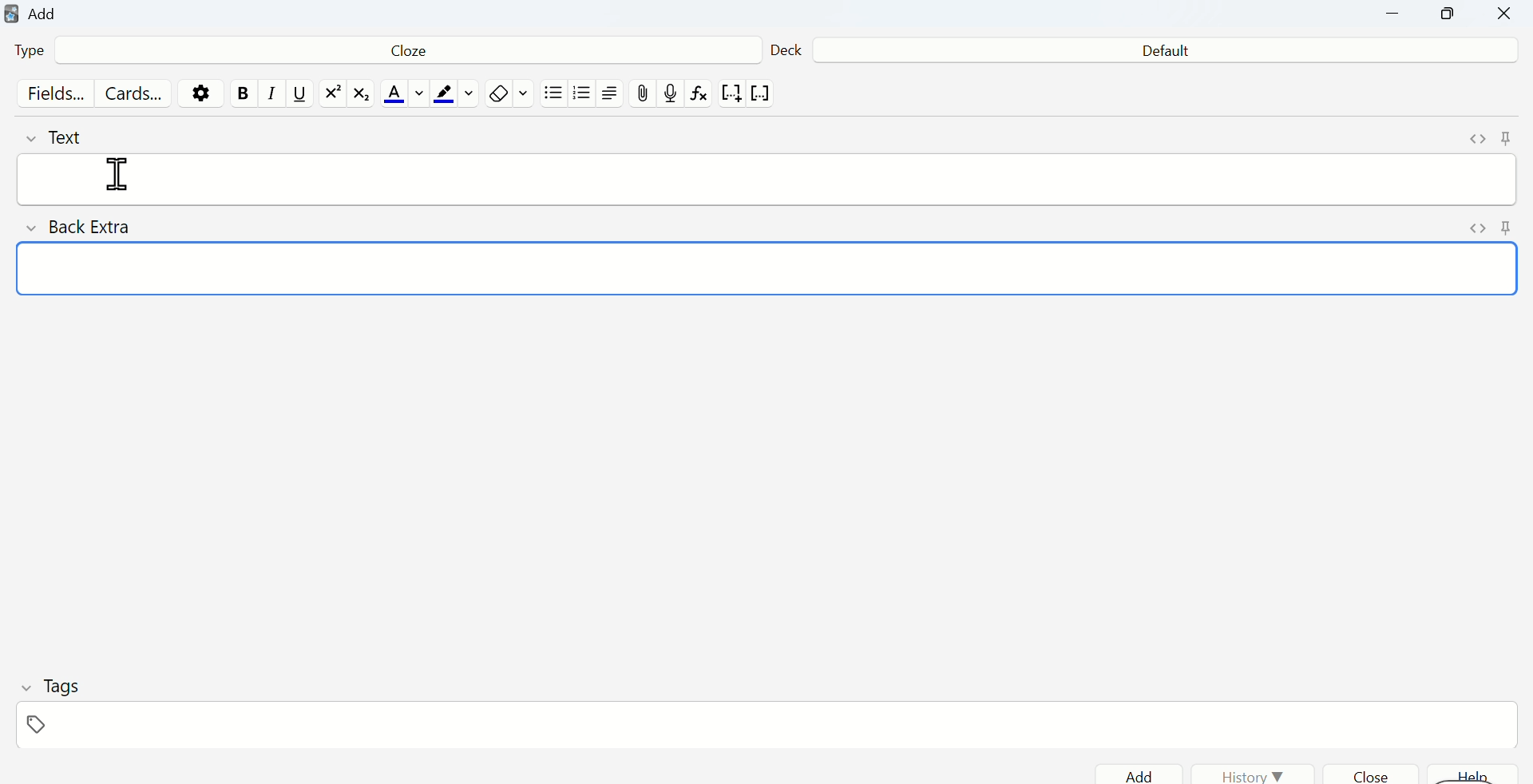 This screenshot has width=1533, height=784. What do you see at coordinates (53, 686) in the screenshot?
I see `Tags` at bounding box center [53, 686].